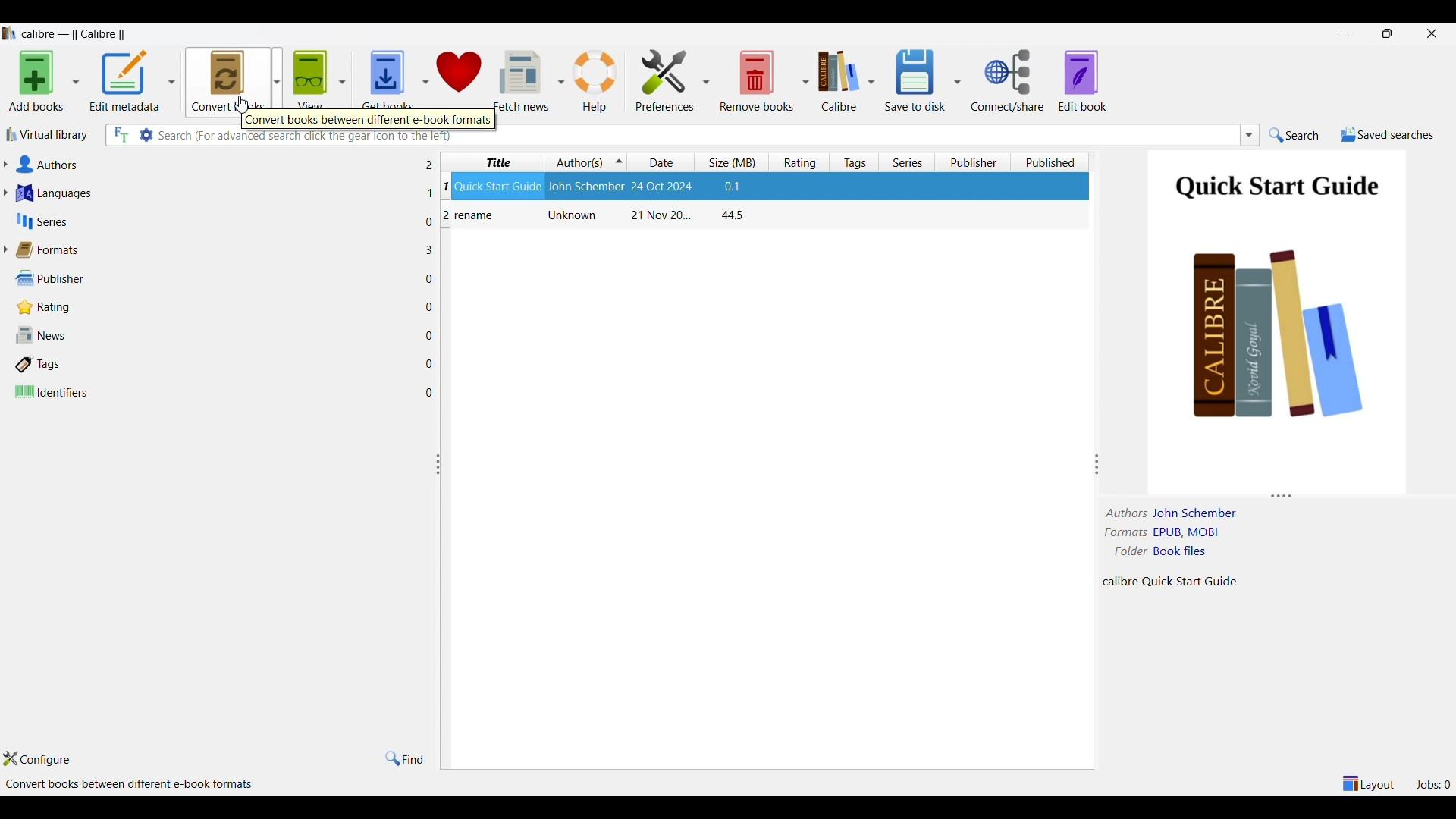  Describe the element at coordinates (1009, 80) in the screenshot. I see `Connect/Share` at that location.